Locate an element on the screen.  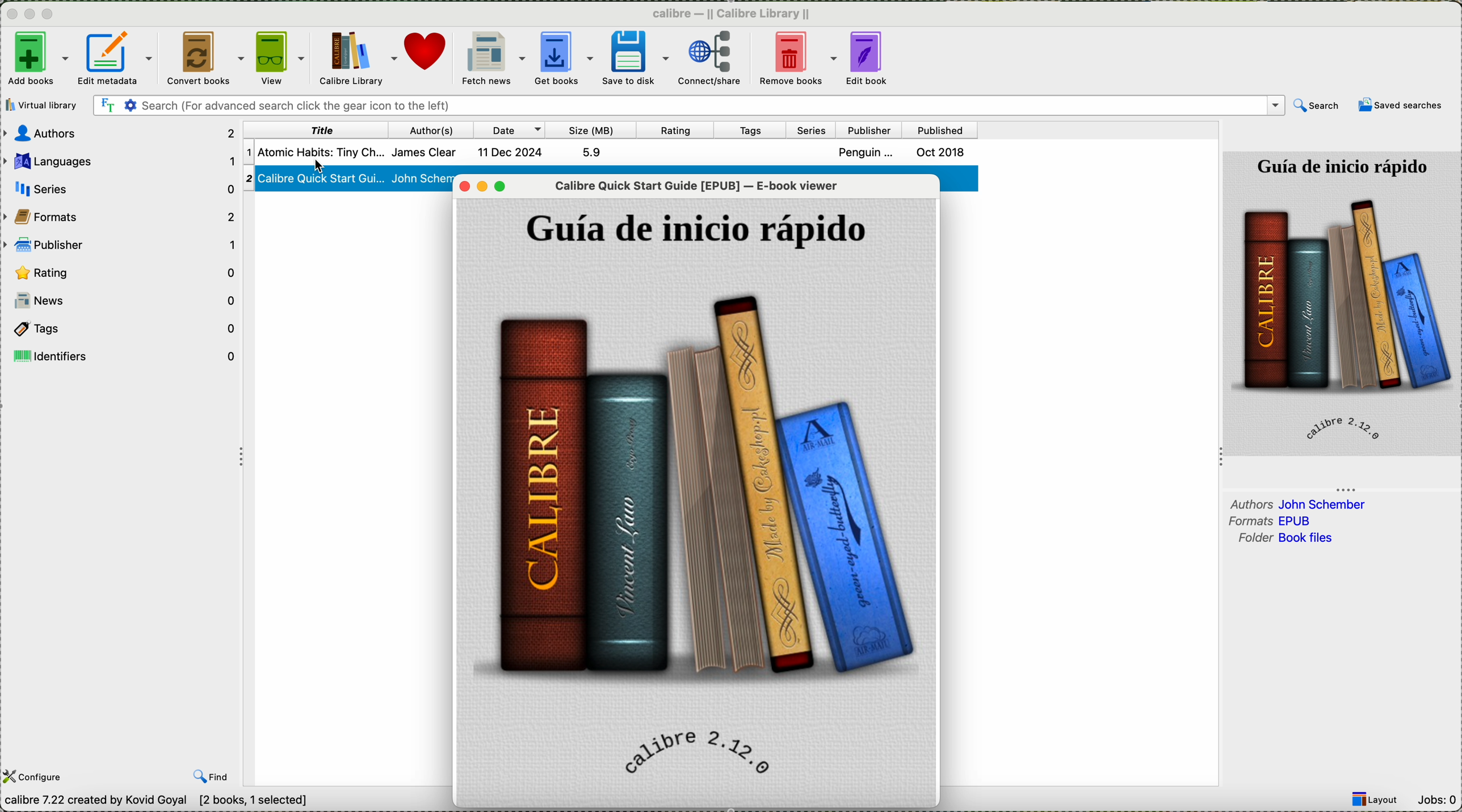
layout is located at coordinates (1373, 801).